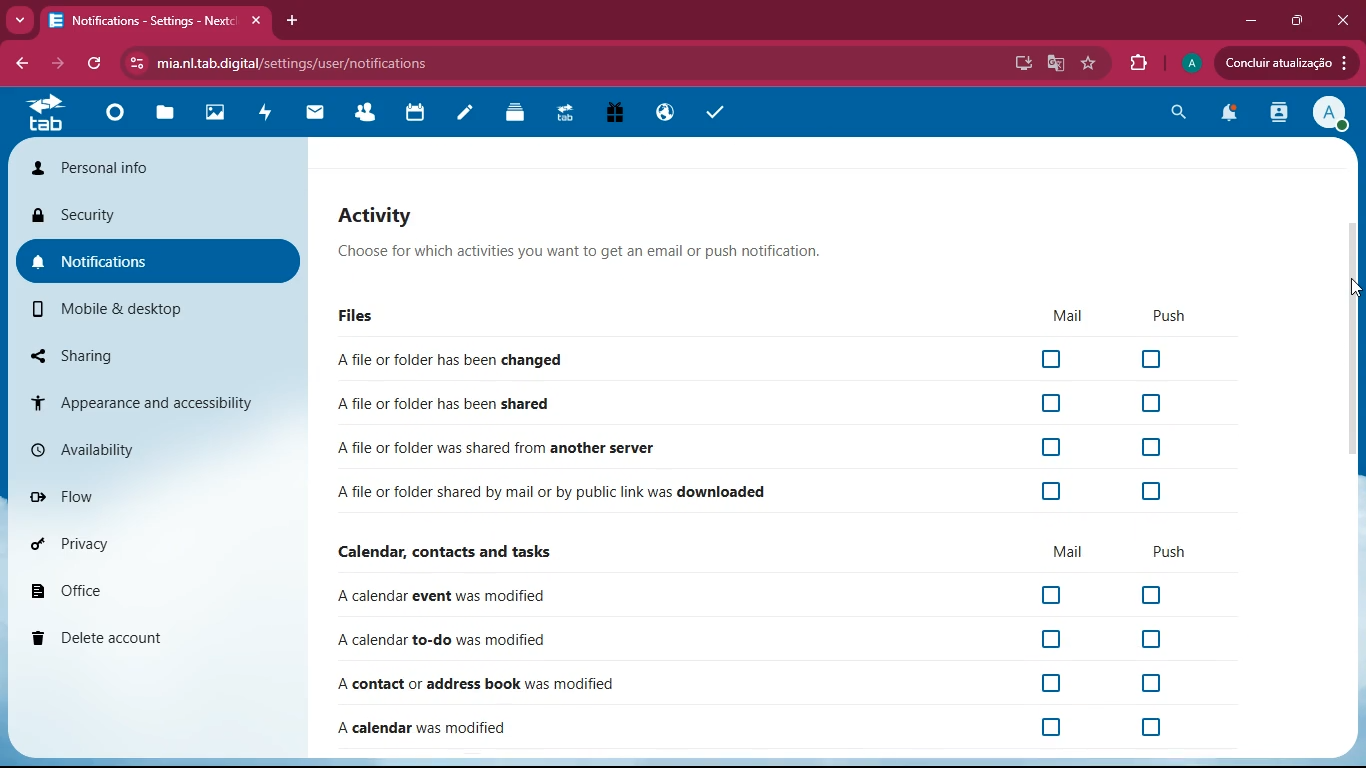  I want to click on push, so click(1170, 552).